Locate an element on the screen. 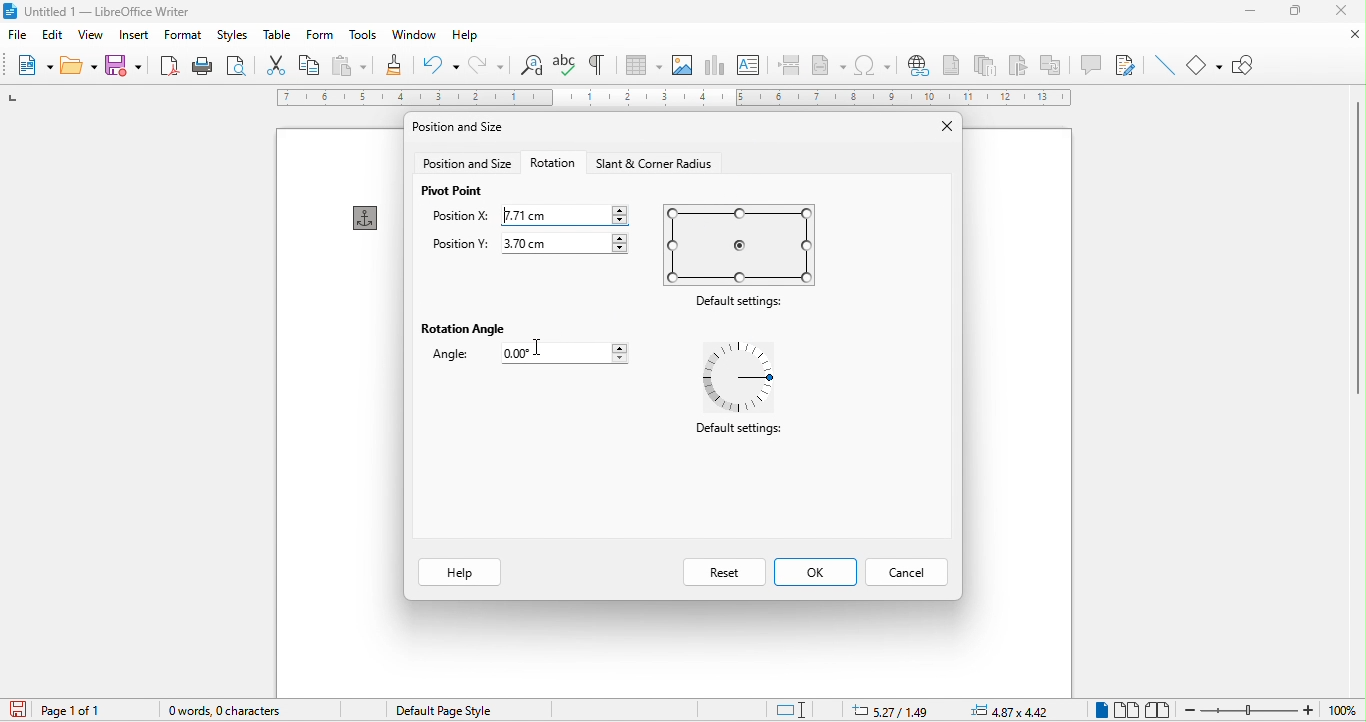 The width and height of the screenshot is (1366, 722). 4.87zx4.42 is located at coordinates (1010, 709).